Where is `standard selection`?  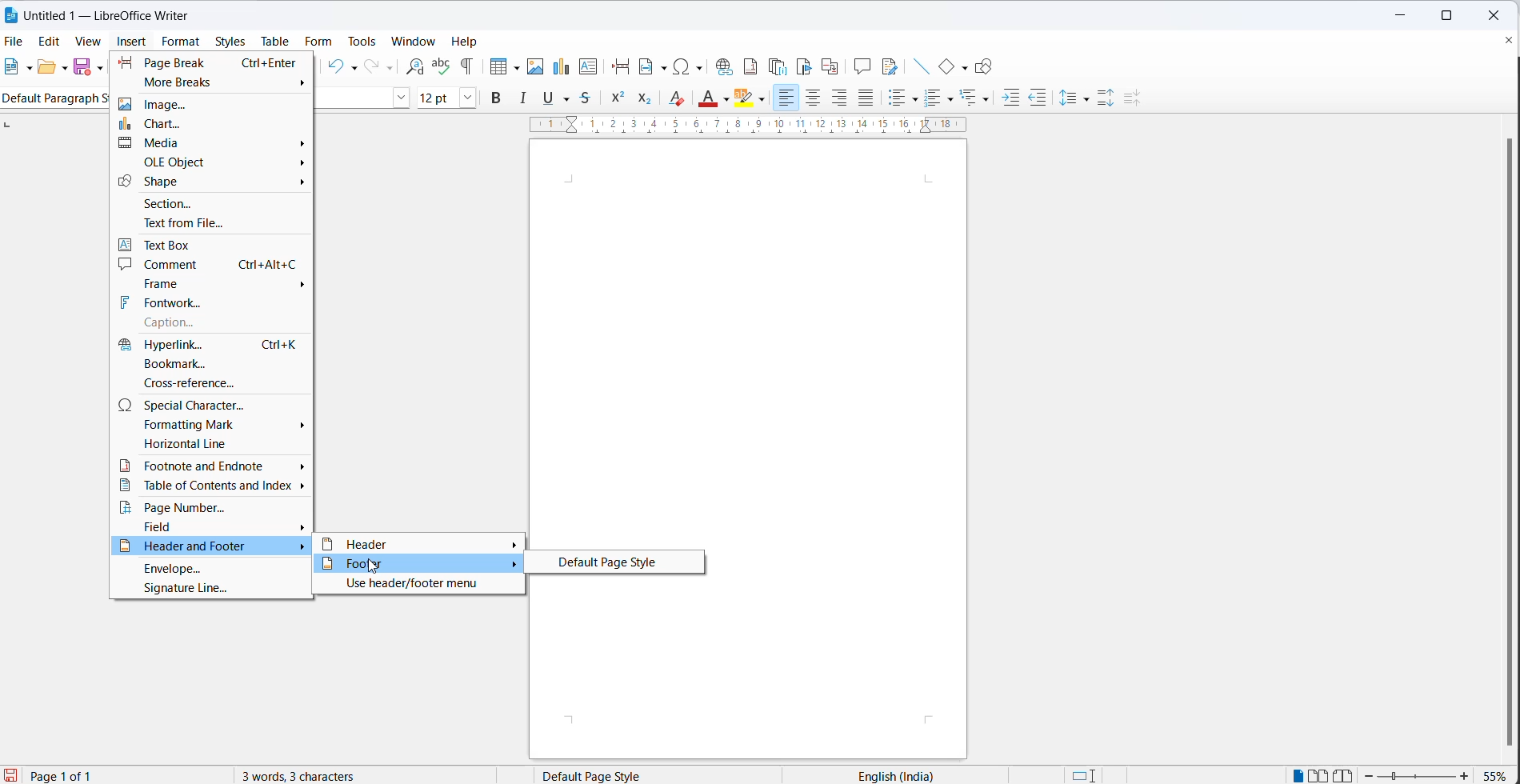
standard selection is located at coordinates (1087, 775).